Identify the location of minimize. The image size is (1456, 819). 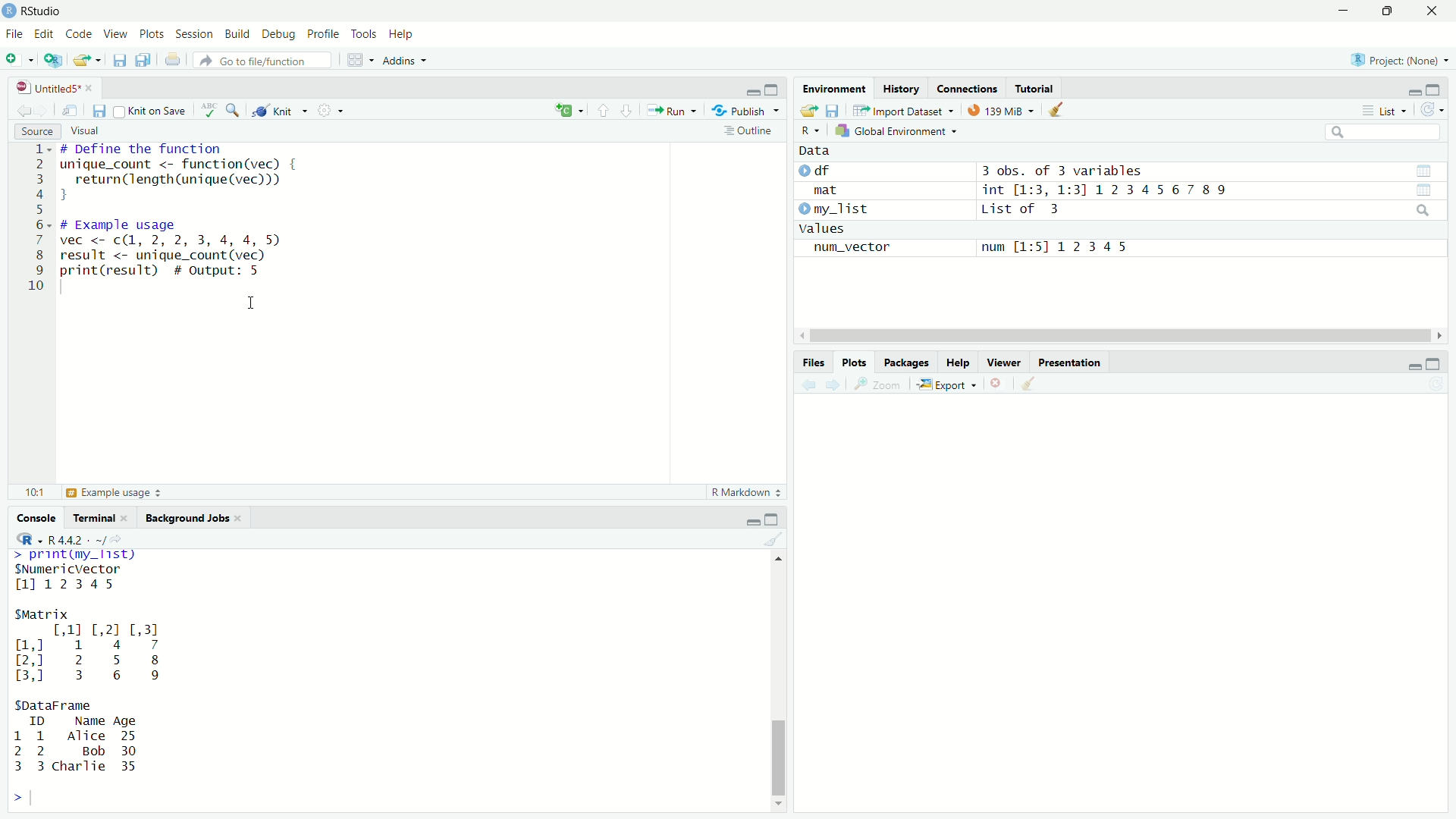
(752, 522).